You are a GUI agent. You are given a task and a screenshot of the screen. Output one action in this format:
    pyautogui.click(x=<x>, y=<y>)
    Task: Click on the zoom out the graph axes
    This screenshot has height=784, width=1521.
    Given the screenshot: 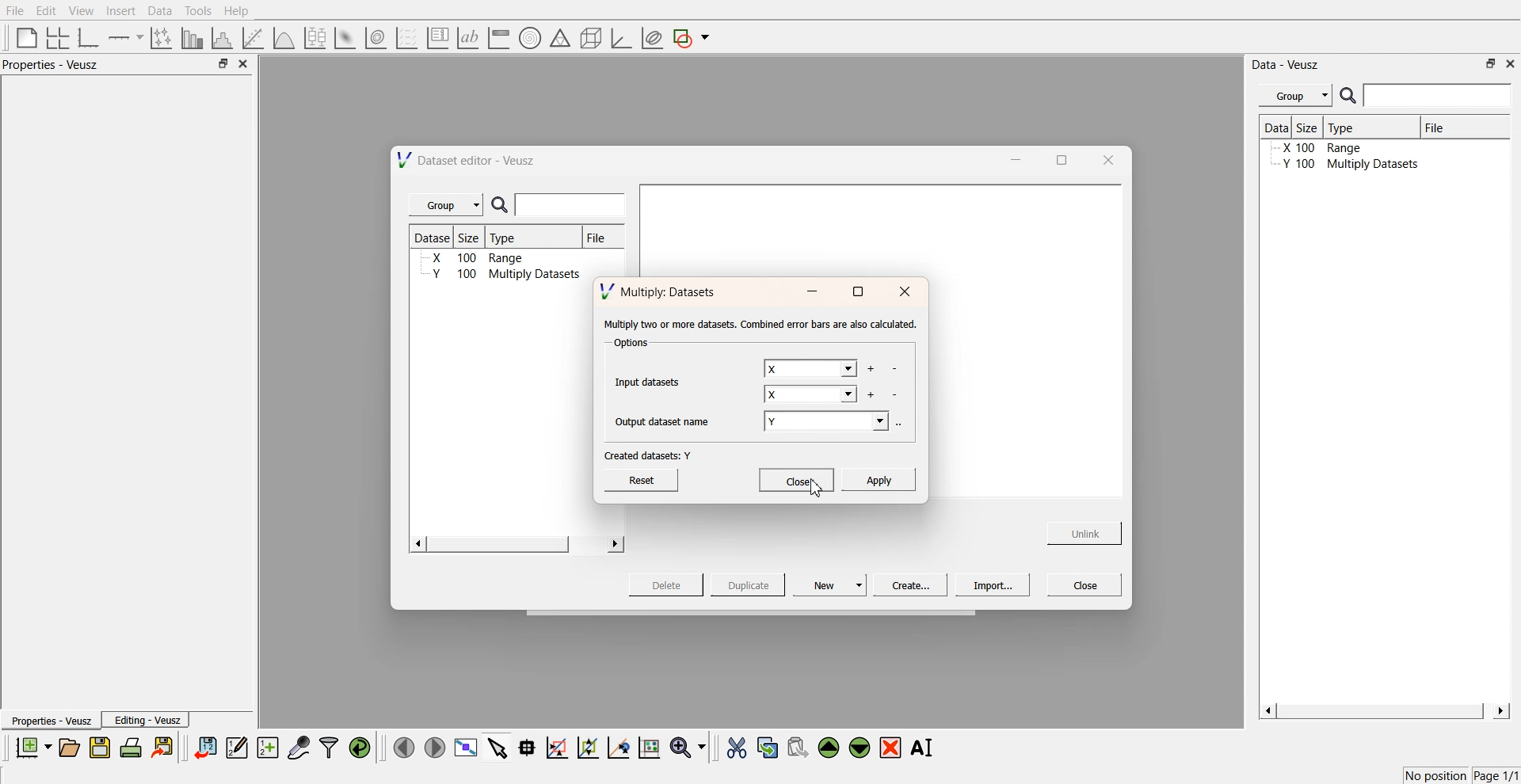 What is the action you would take?
    pyautogui.click(x=586, y=747)
    